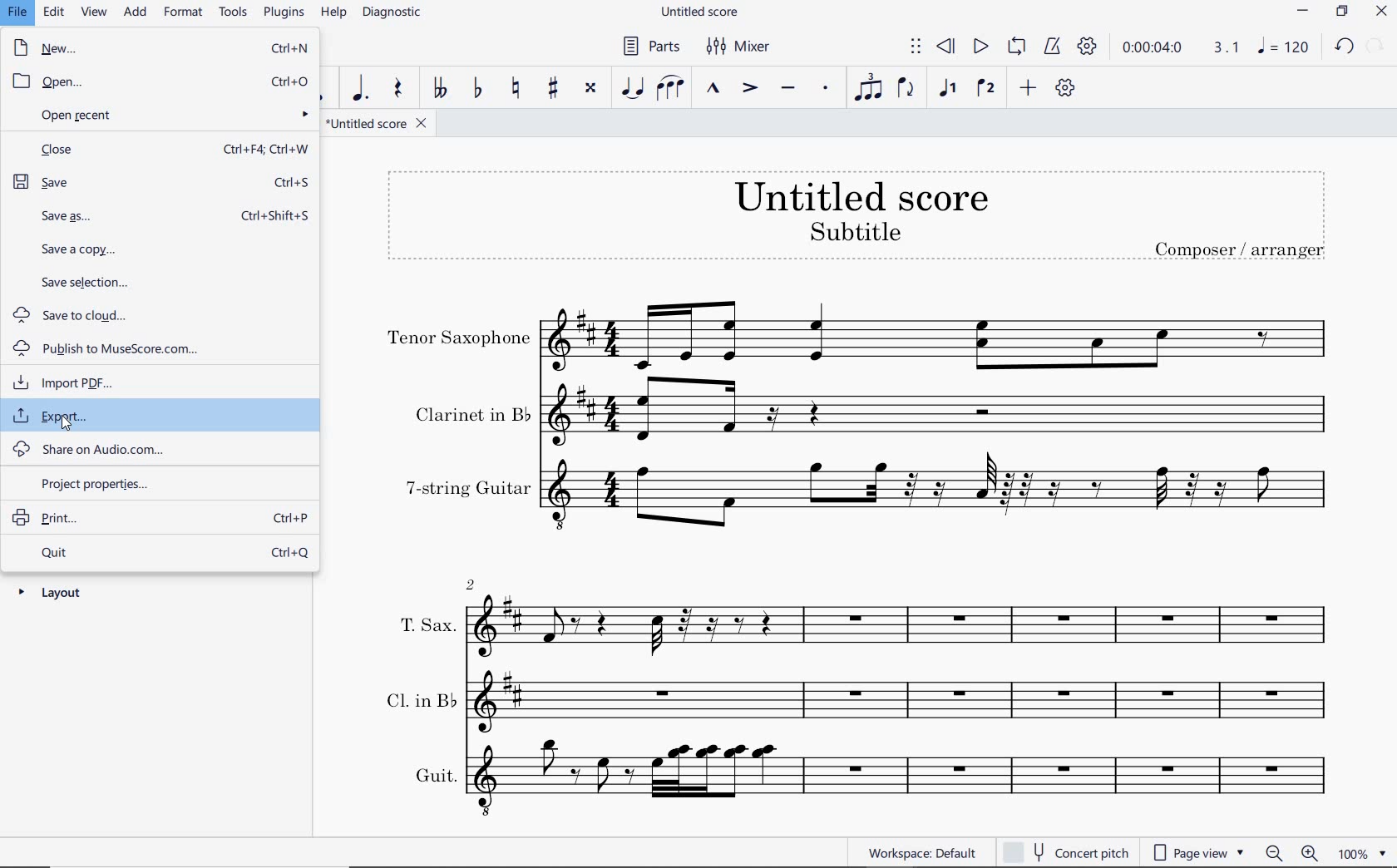 Image resolution: width=1397 pixels, height=868 pixels. I want to click on EDIT, so click(54, 12).